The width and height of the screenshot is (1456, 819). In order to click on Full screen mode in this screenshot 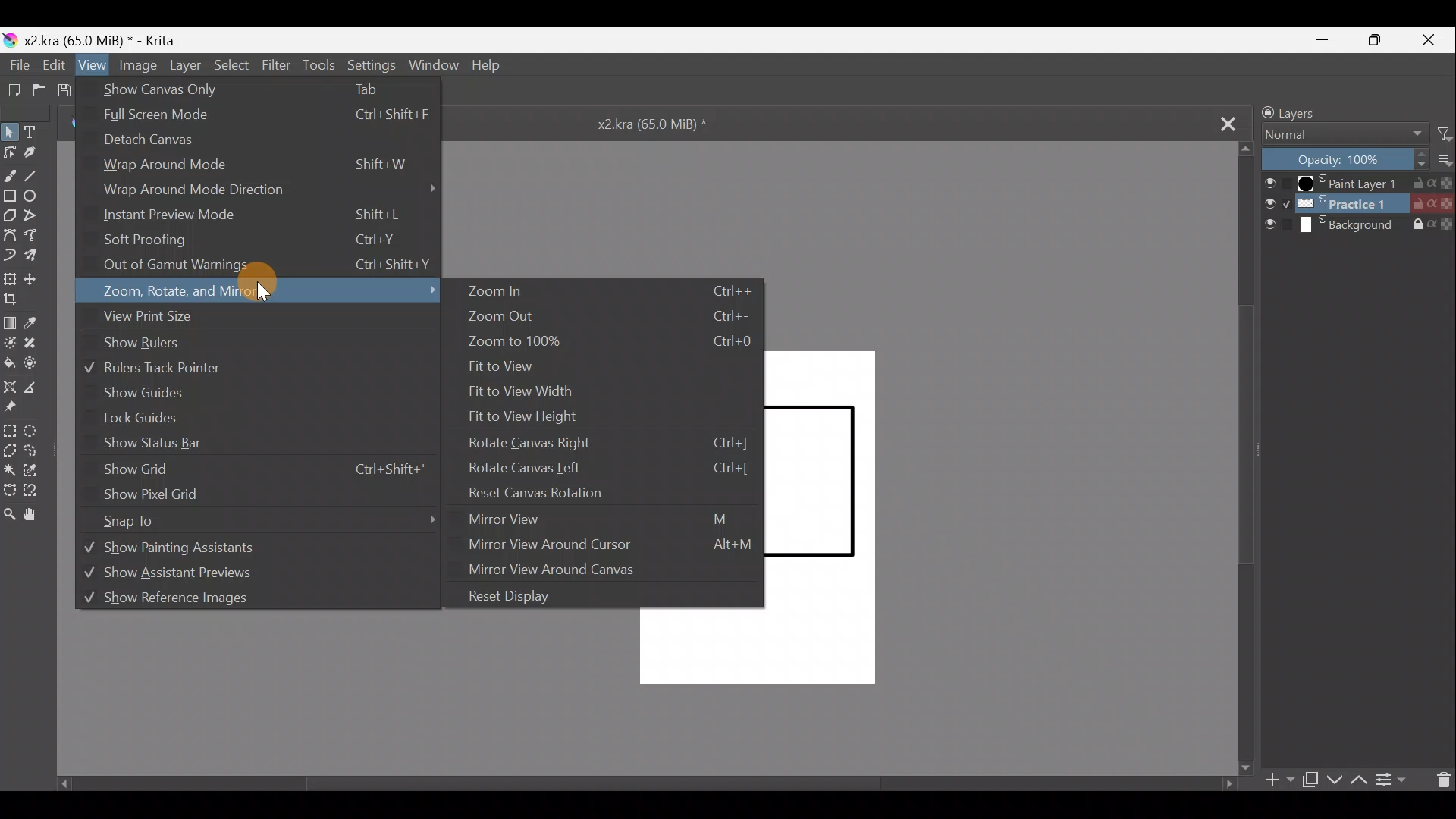, I will do `click(262, 118)`.